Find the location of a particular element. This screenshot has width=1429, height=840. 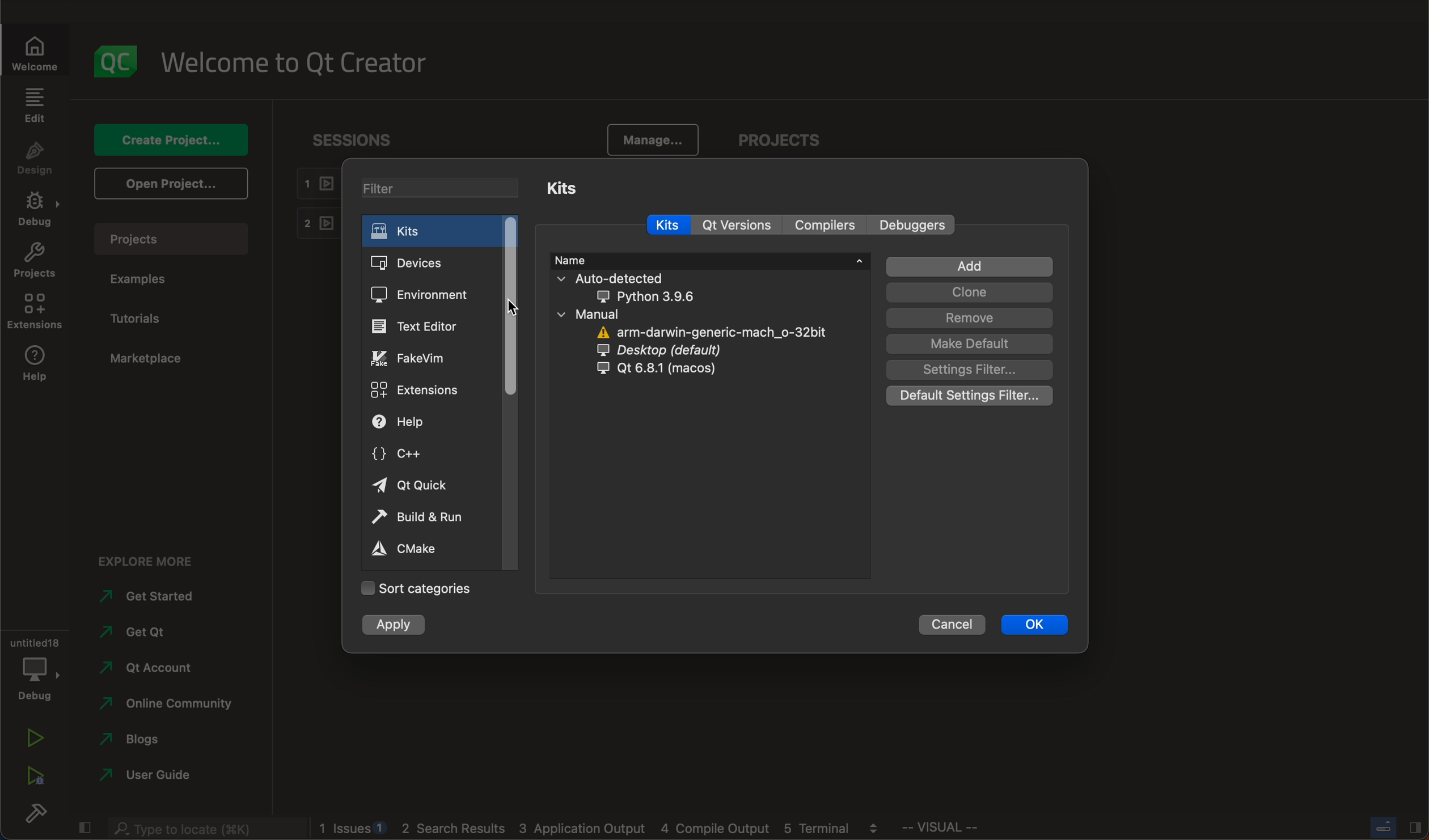

add is located at coordinates (969, 268).